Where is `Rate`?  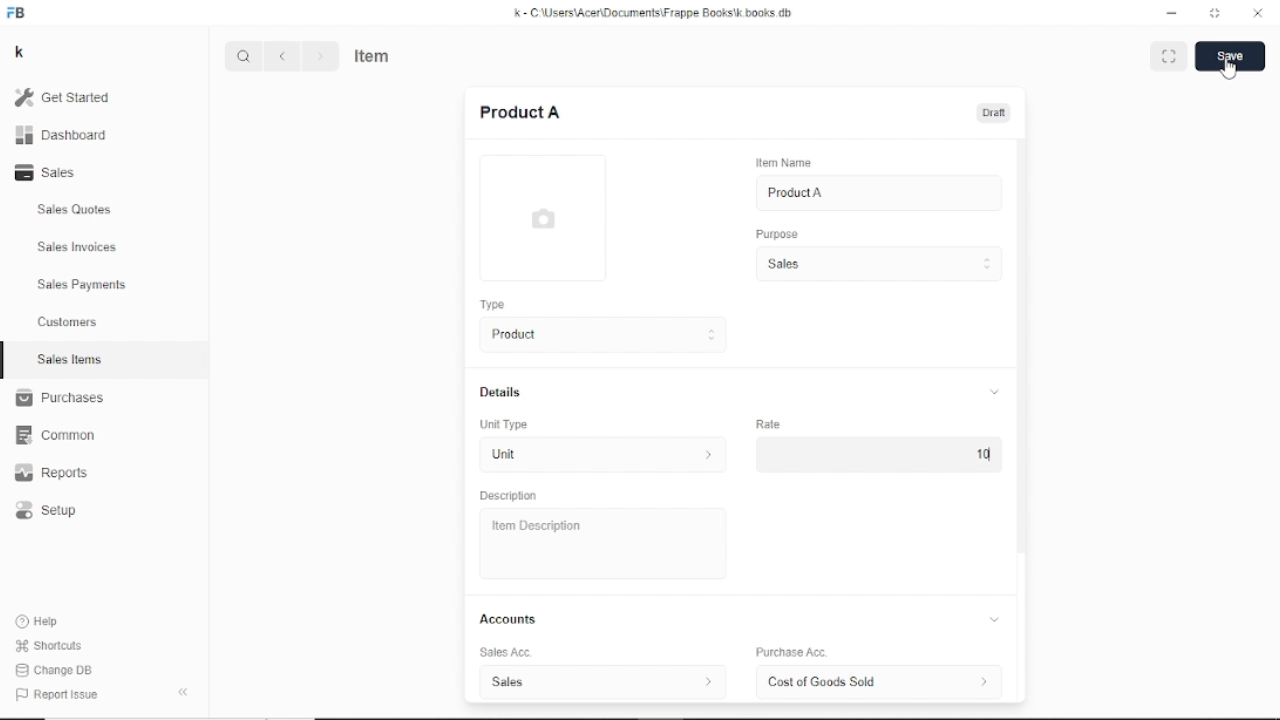 Rate is located at coordinates (768, 423).